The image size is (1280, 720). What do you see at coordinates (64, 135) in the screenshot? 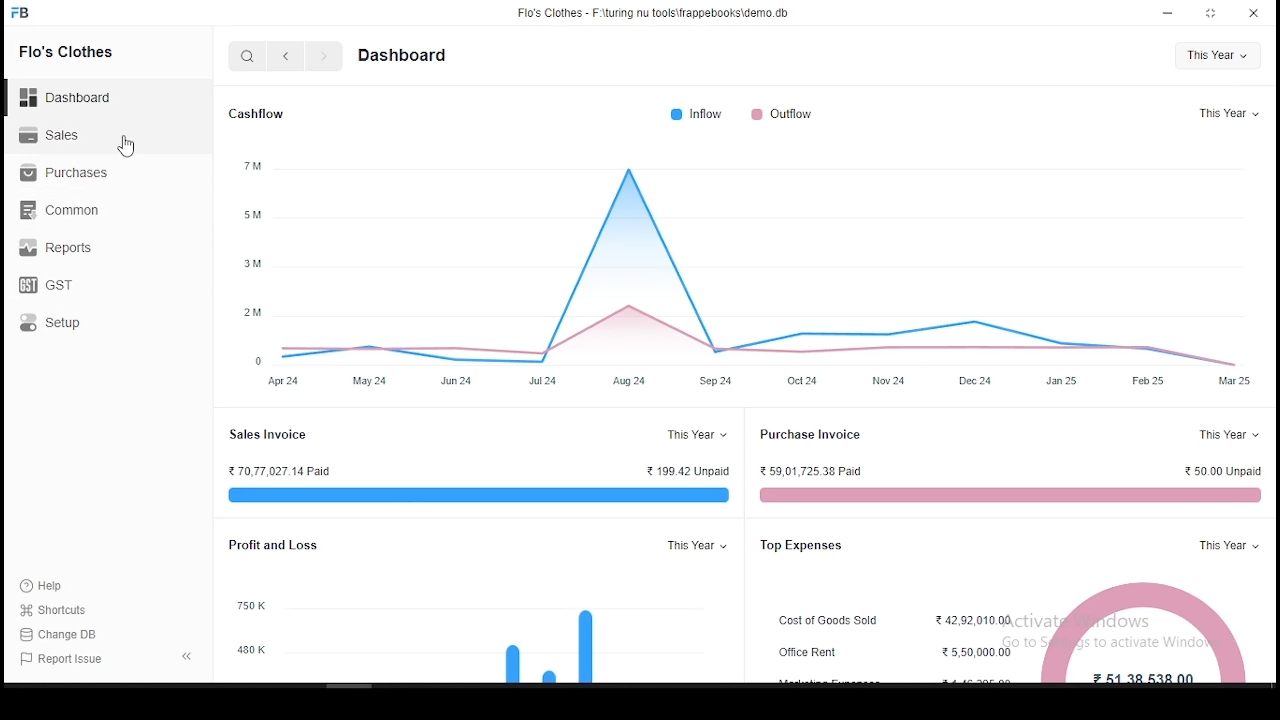
I see `sales` at bounding box center [64, 135].